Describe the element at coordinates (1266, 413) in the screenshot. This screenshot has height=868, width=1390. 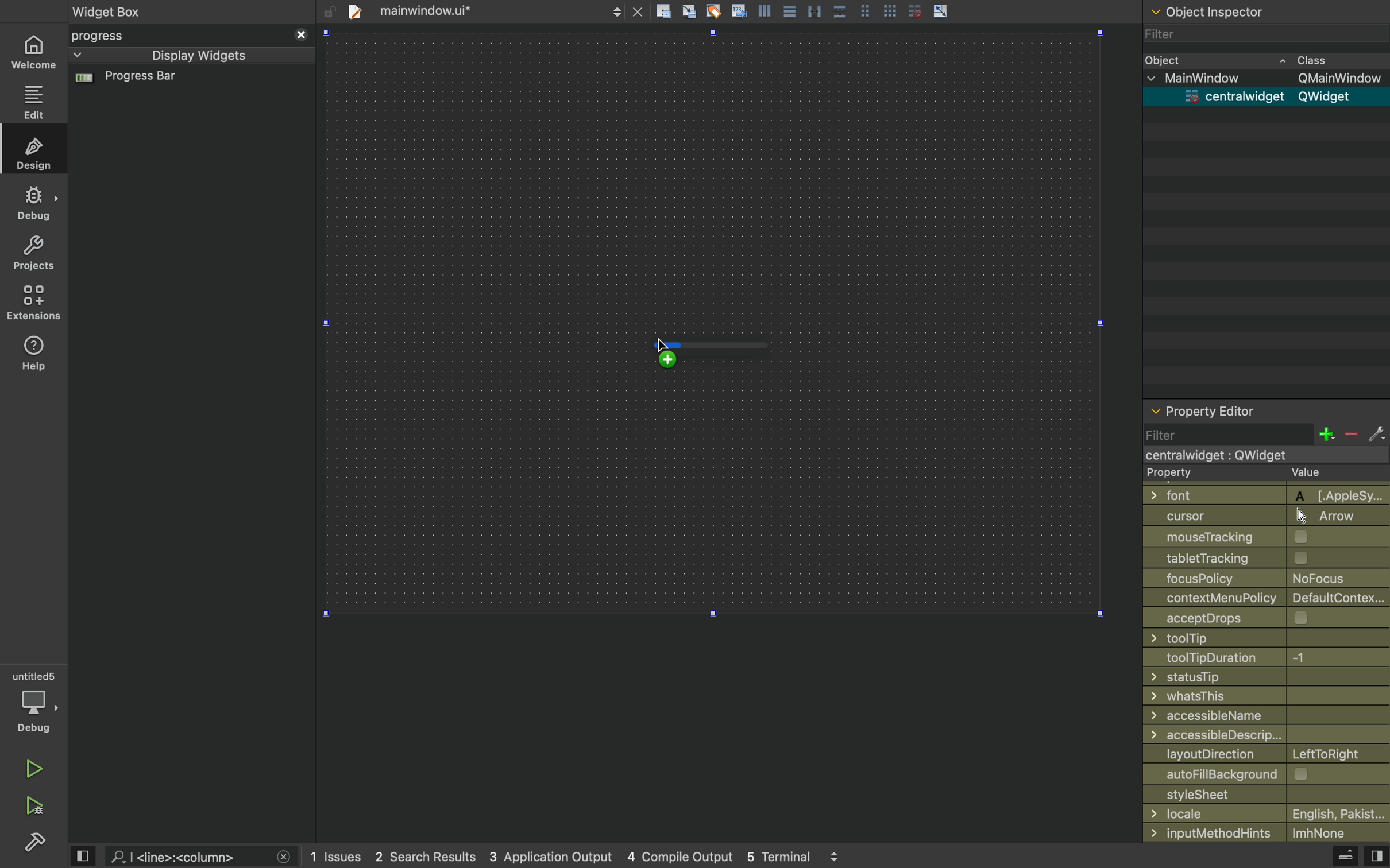
I see `property editor` at that location.